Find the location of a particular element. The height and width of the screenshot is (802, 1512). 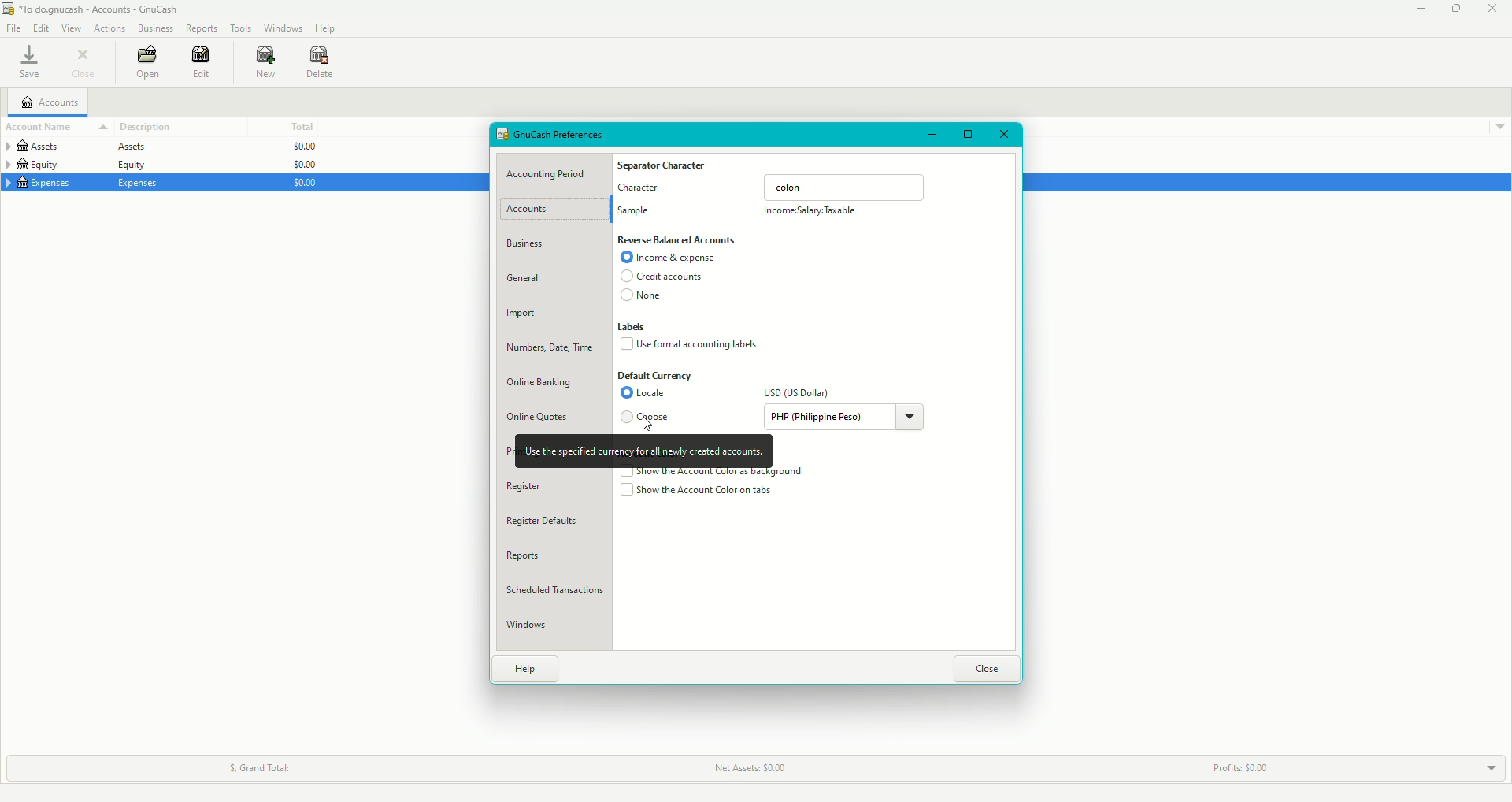

Close is located at coordinates (84, 62).